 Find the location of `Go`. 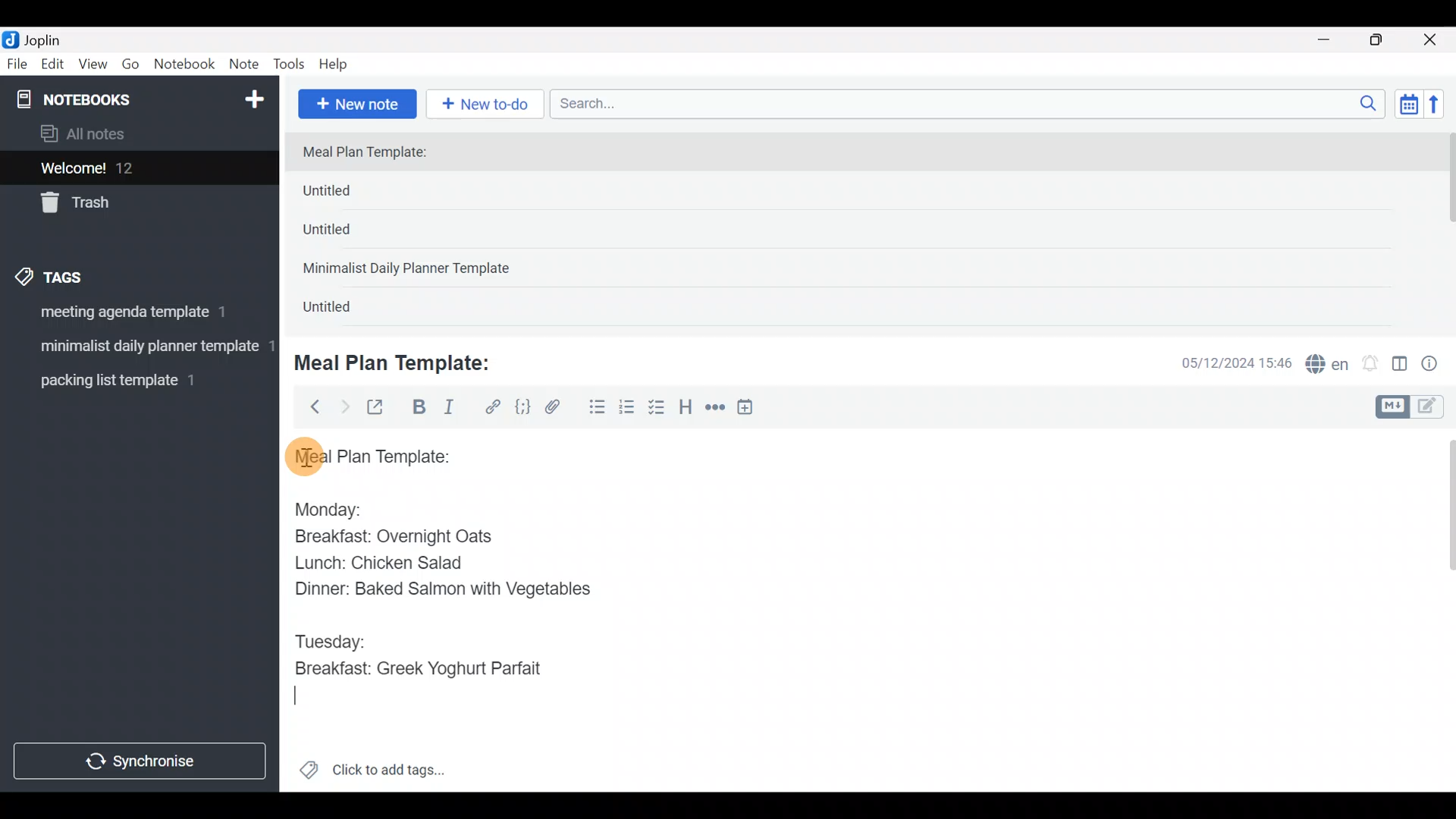

Go is located at coordinates (130, 67).